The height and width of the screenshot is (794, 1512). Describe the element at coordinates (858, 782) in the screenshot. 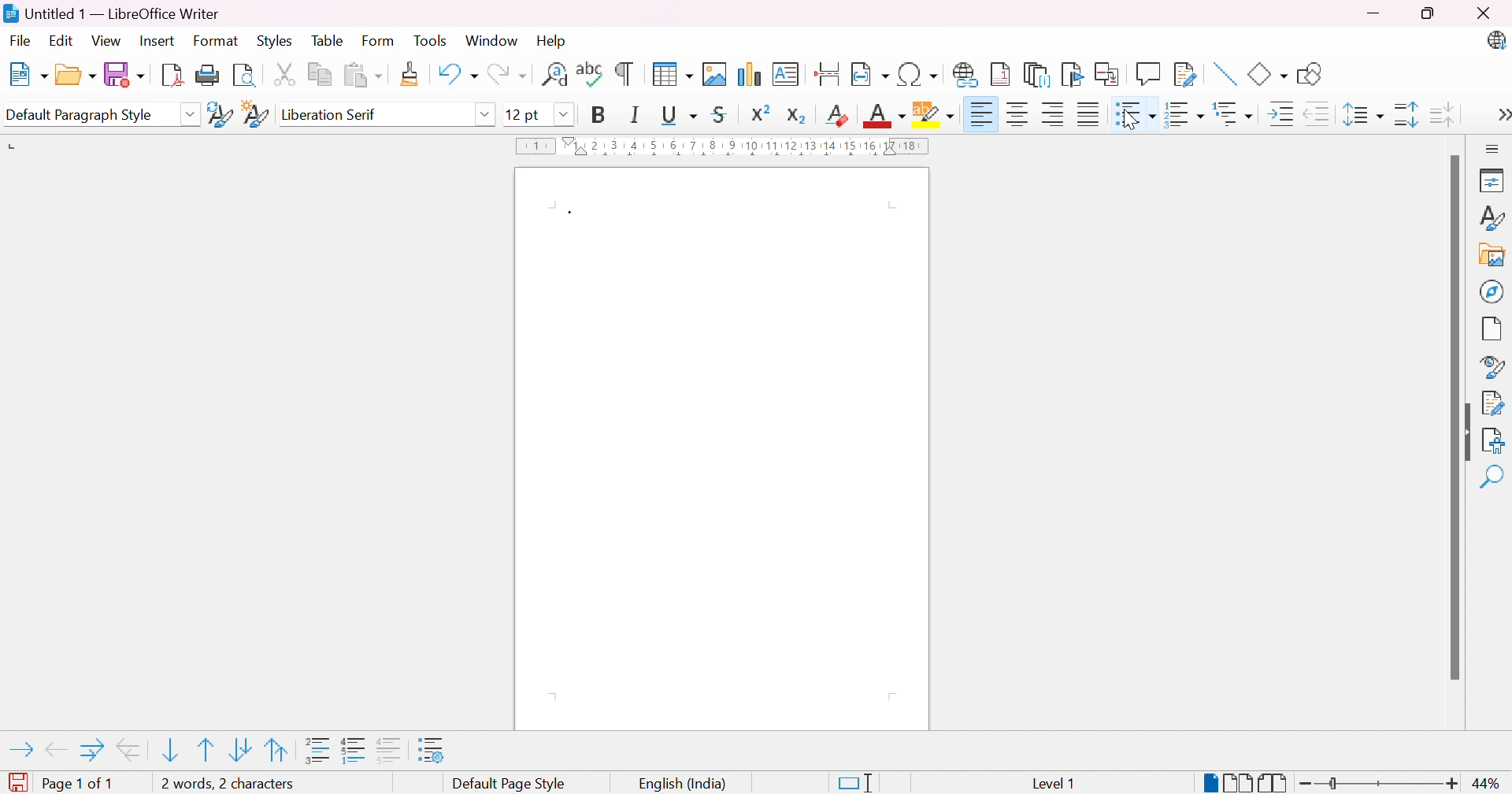

I see `Standard selection. Click to change selection mode.` at that location.